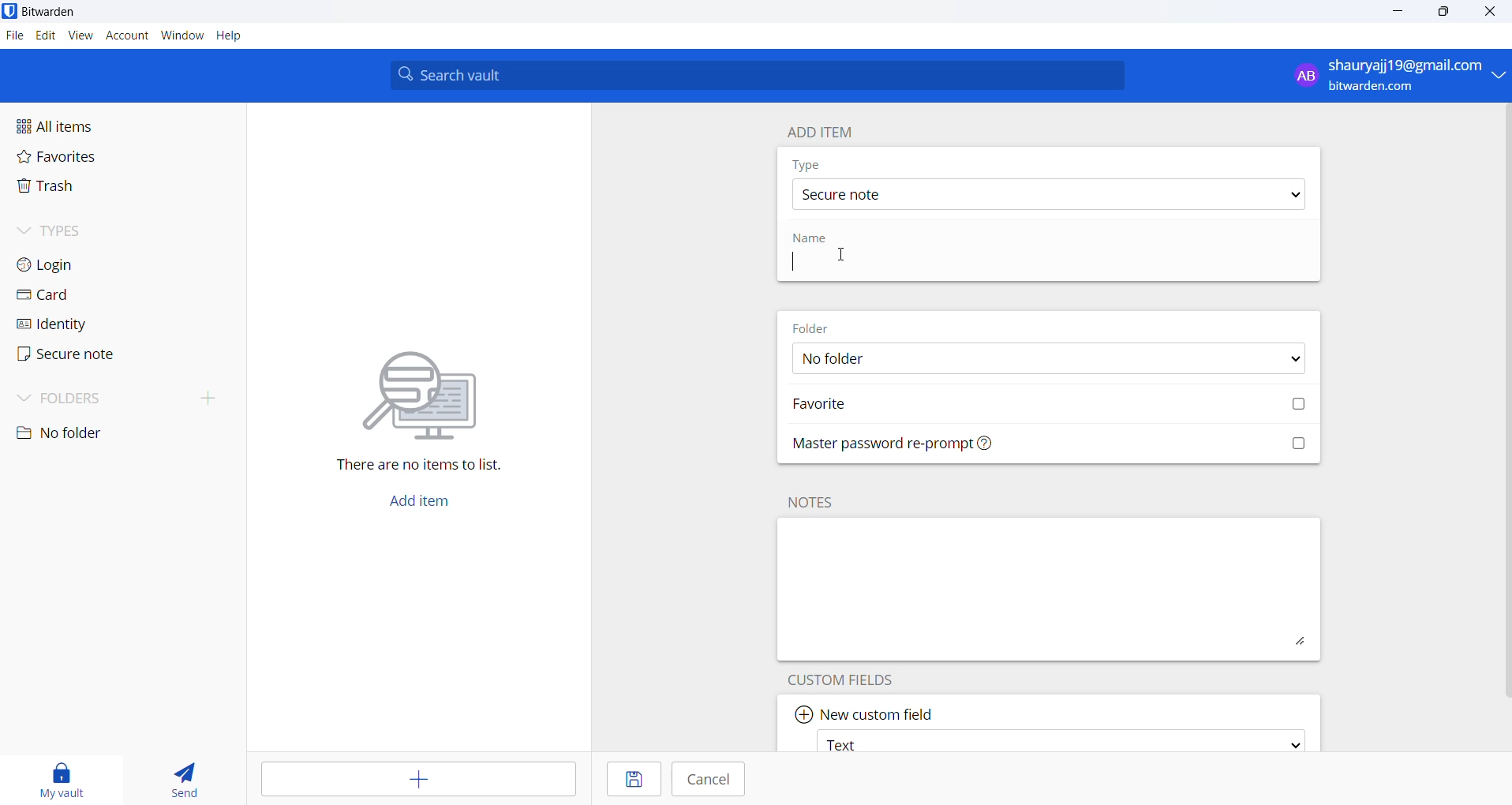 The width and height of the screenshot is (1512, 805). I want to click on help, so click(230, 36).